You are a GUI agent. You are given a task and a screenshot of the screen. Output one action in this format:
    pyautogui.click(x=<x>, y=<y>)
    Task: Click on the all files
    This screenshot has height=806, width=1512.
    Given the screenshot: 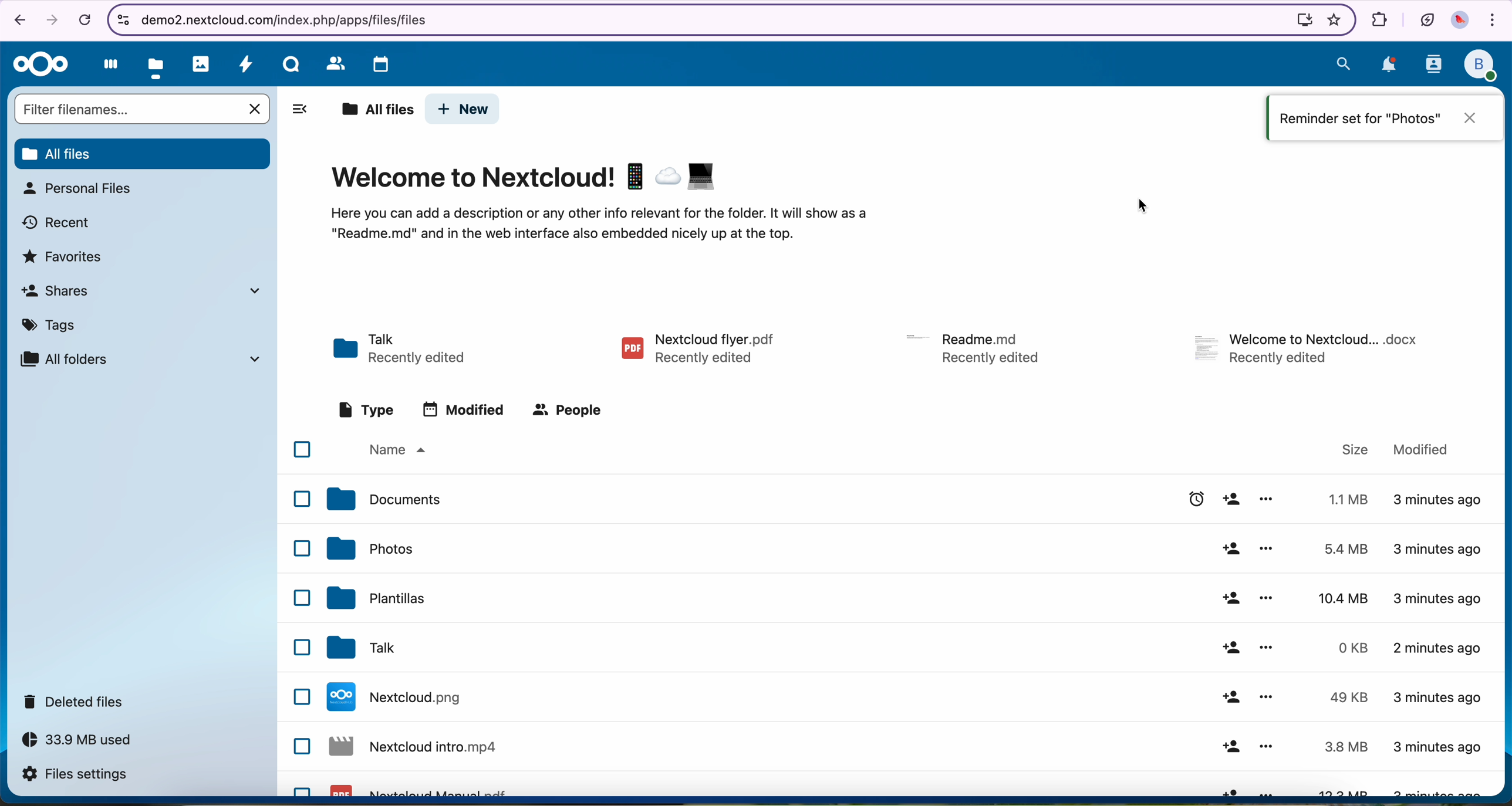 What is the action you would take?
    pyautogui.click(x=143, y=154)
    